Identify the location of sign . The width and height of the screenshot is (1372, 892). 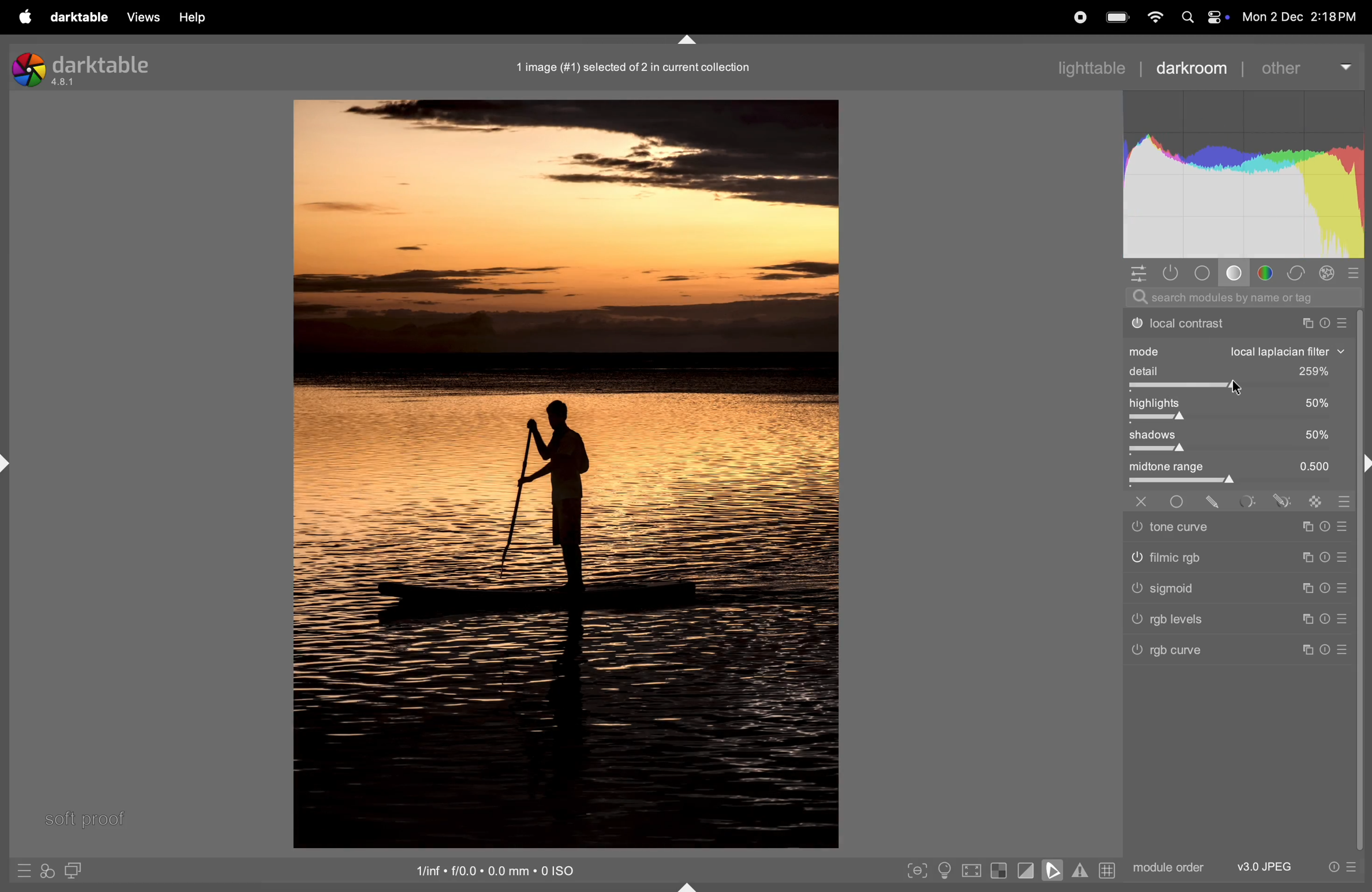
(1310, 531).